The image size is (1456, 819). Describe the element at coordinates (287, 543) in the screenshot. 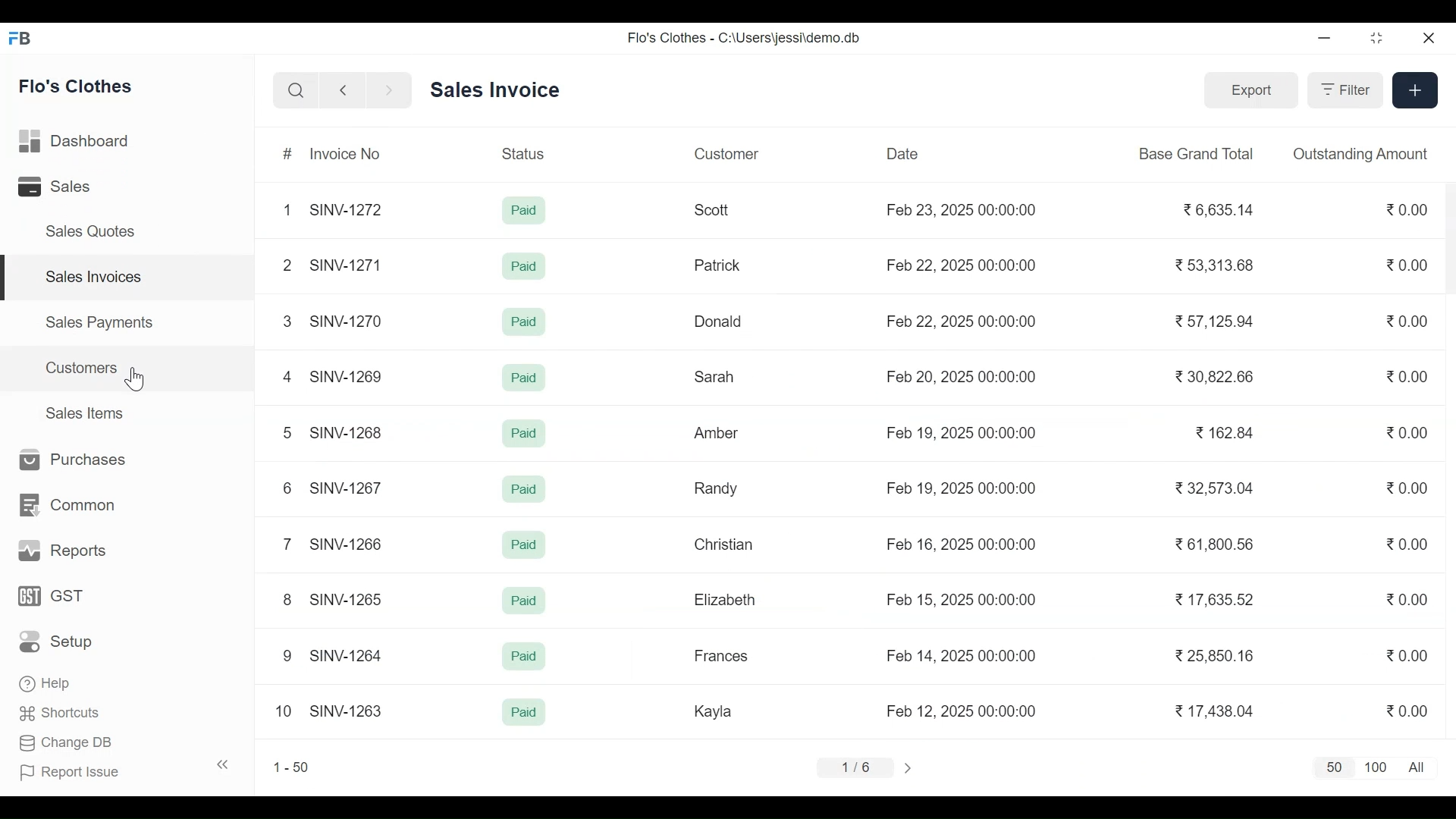

I see `7` at that location.